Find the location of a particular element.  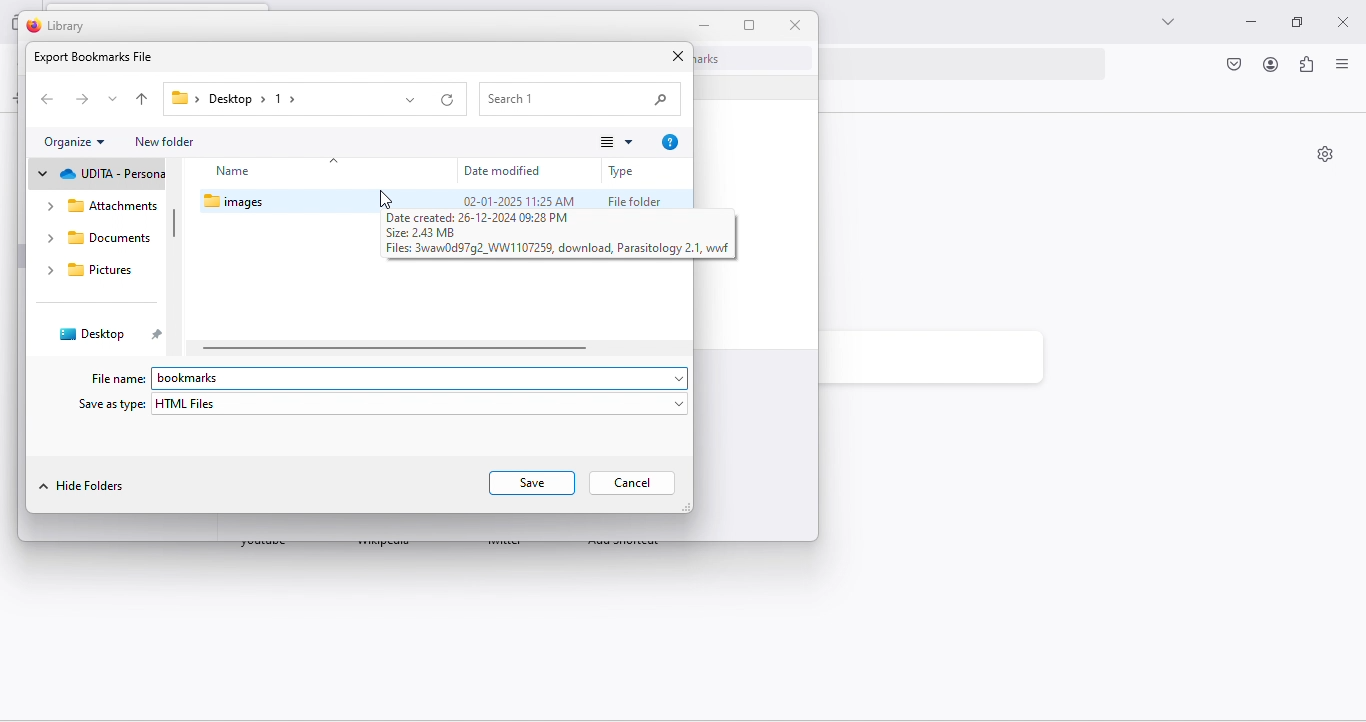

desktop is located at coordinates (92, 333).